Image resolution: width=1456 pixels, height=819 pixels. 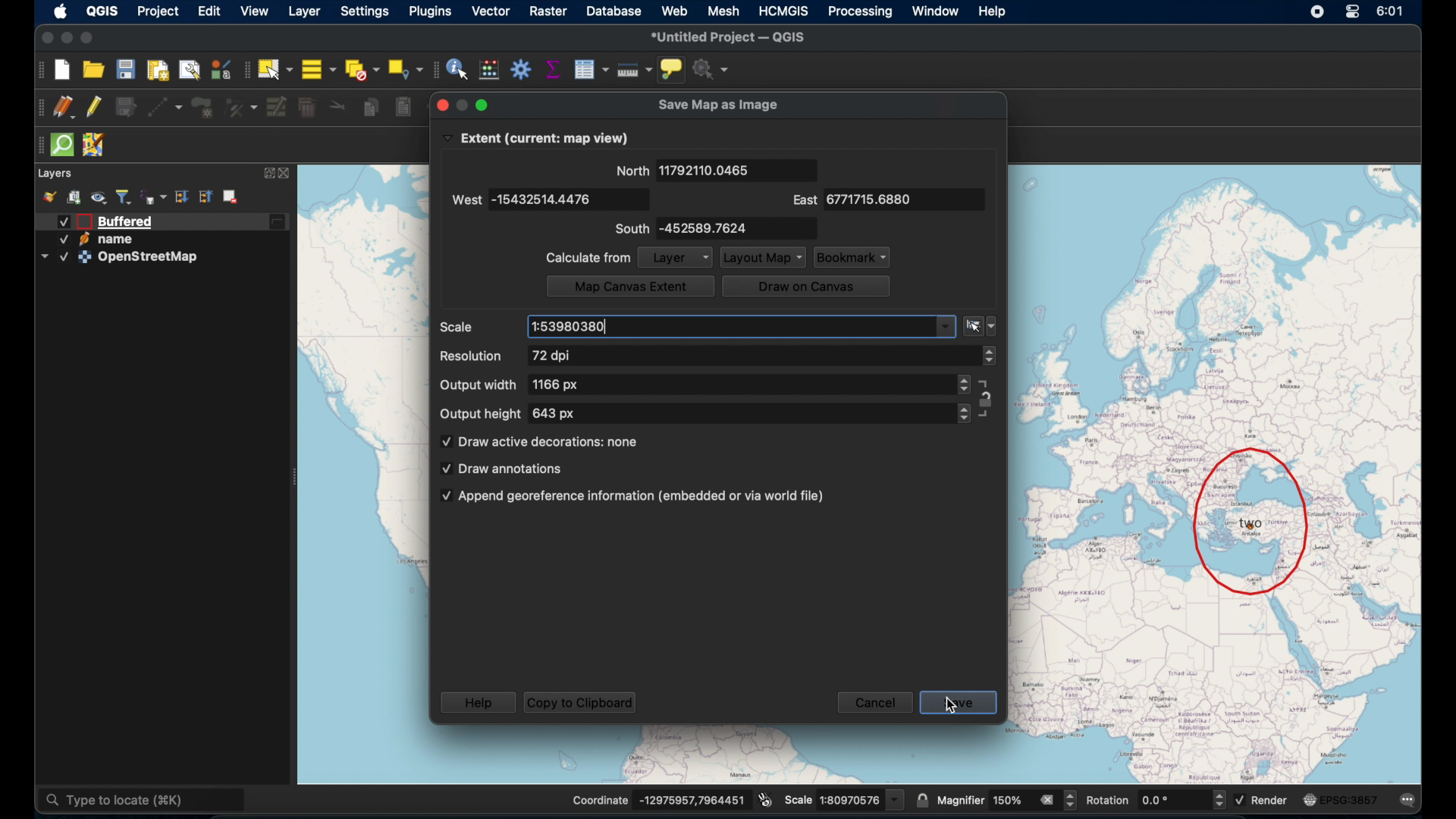 I want to click on Checked checkbox, so click(x=63, y=257).